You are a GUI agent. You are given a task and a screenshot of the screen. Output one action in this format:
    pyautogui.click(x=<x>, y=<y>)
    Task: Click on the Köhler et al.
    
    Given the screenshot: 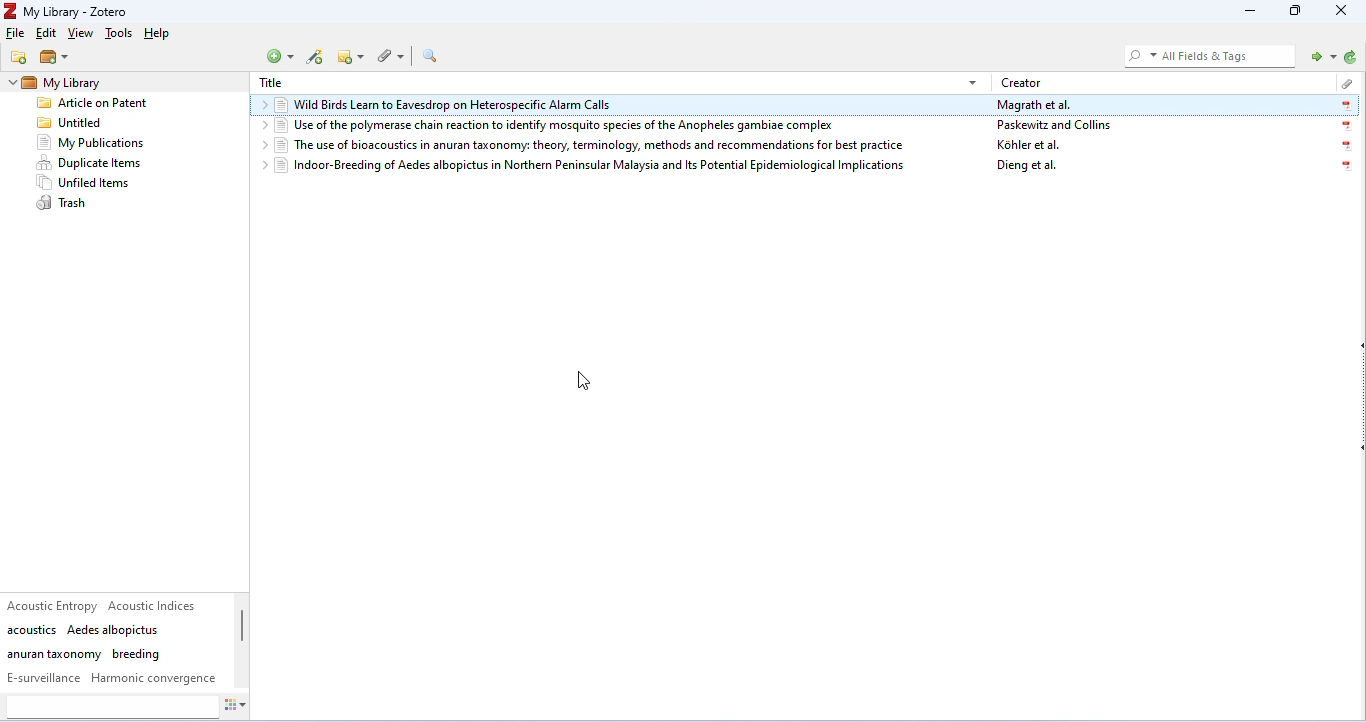 What is the action you would take?
    pyautogui.click(x=1030, y=145)
    